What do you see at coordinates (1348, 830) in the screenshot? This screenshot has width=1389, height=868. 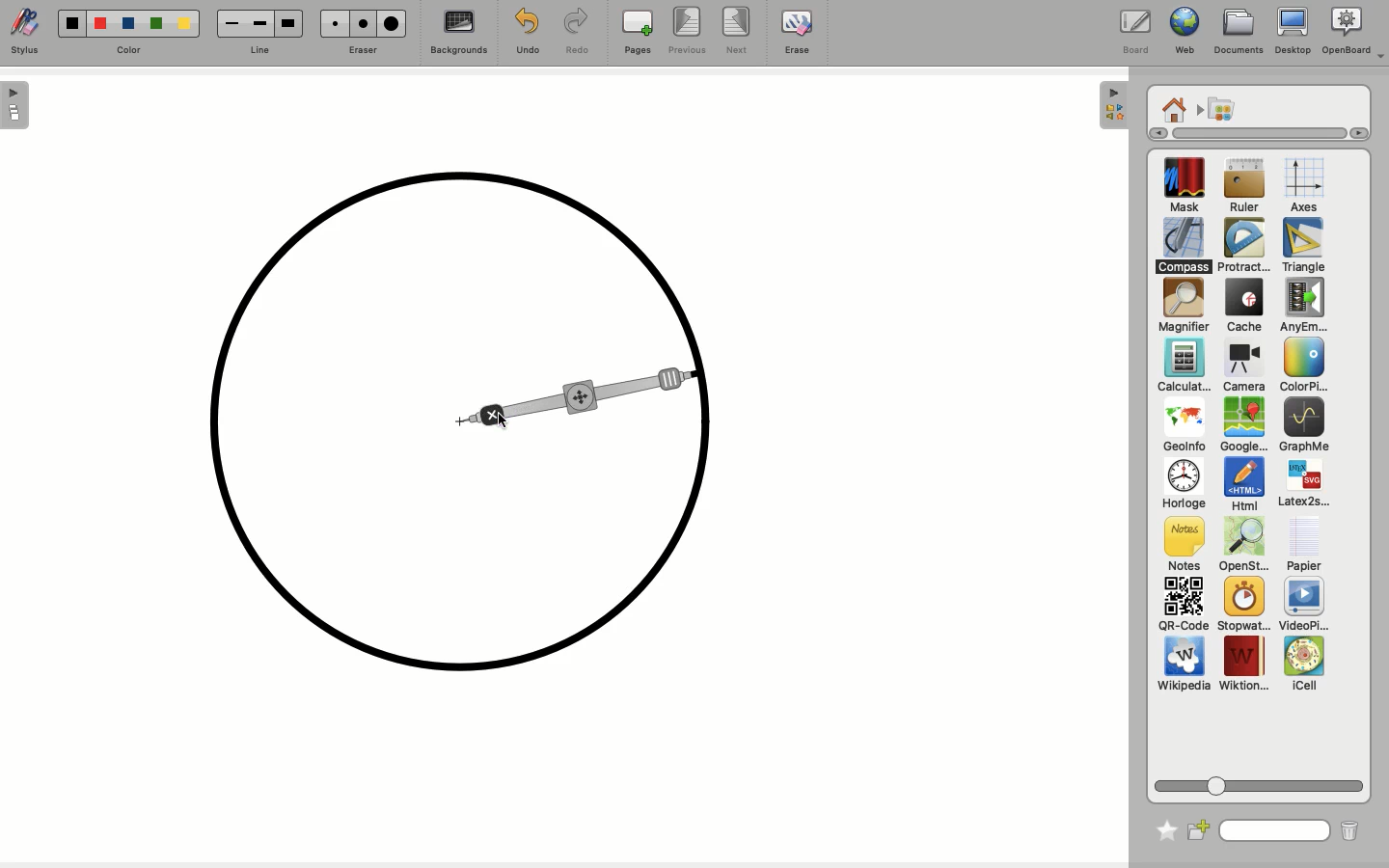 I see `Trash` at bounding box center [1348, 830].